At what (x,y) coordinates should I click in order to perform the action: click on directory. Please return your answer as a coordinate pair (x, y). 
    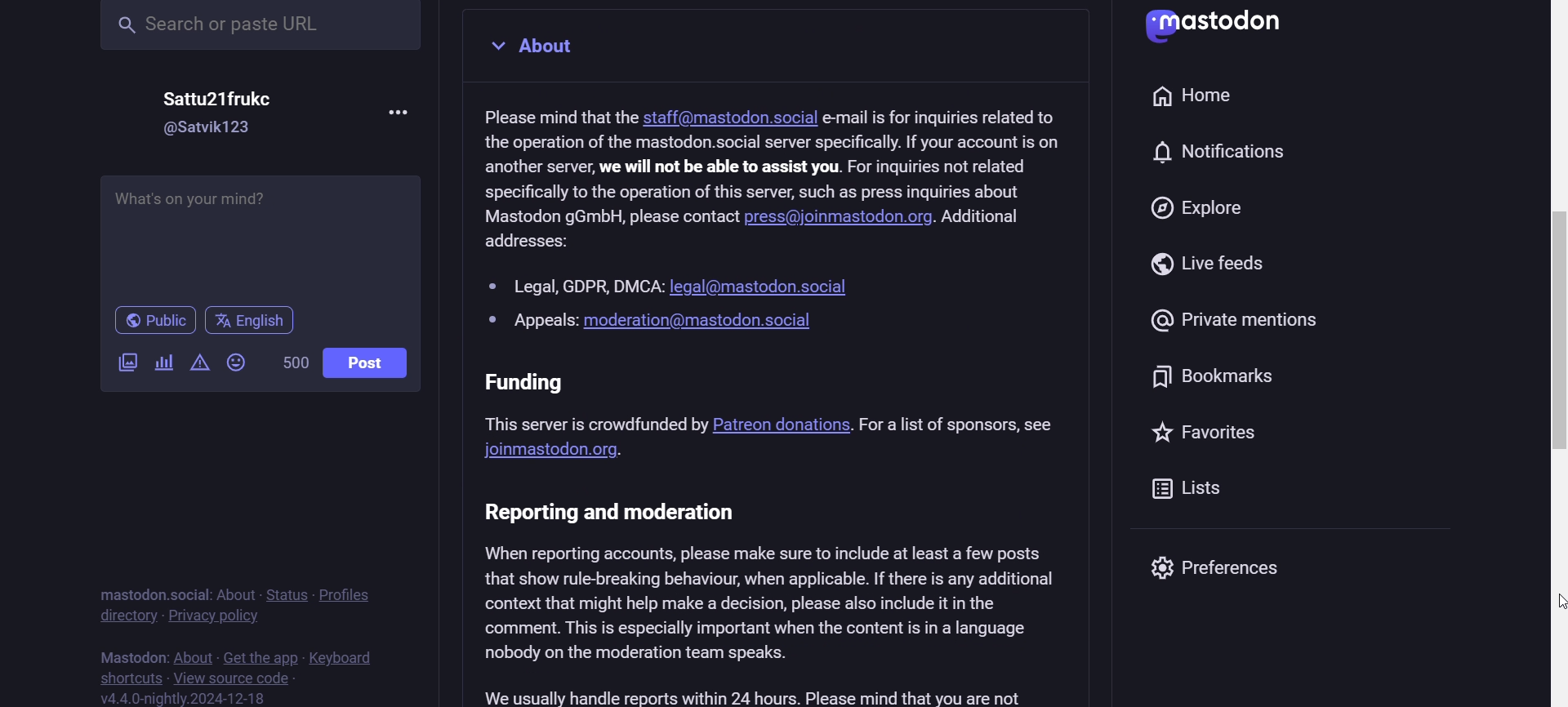
    Looking at the image, I should click on (126, 618).